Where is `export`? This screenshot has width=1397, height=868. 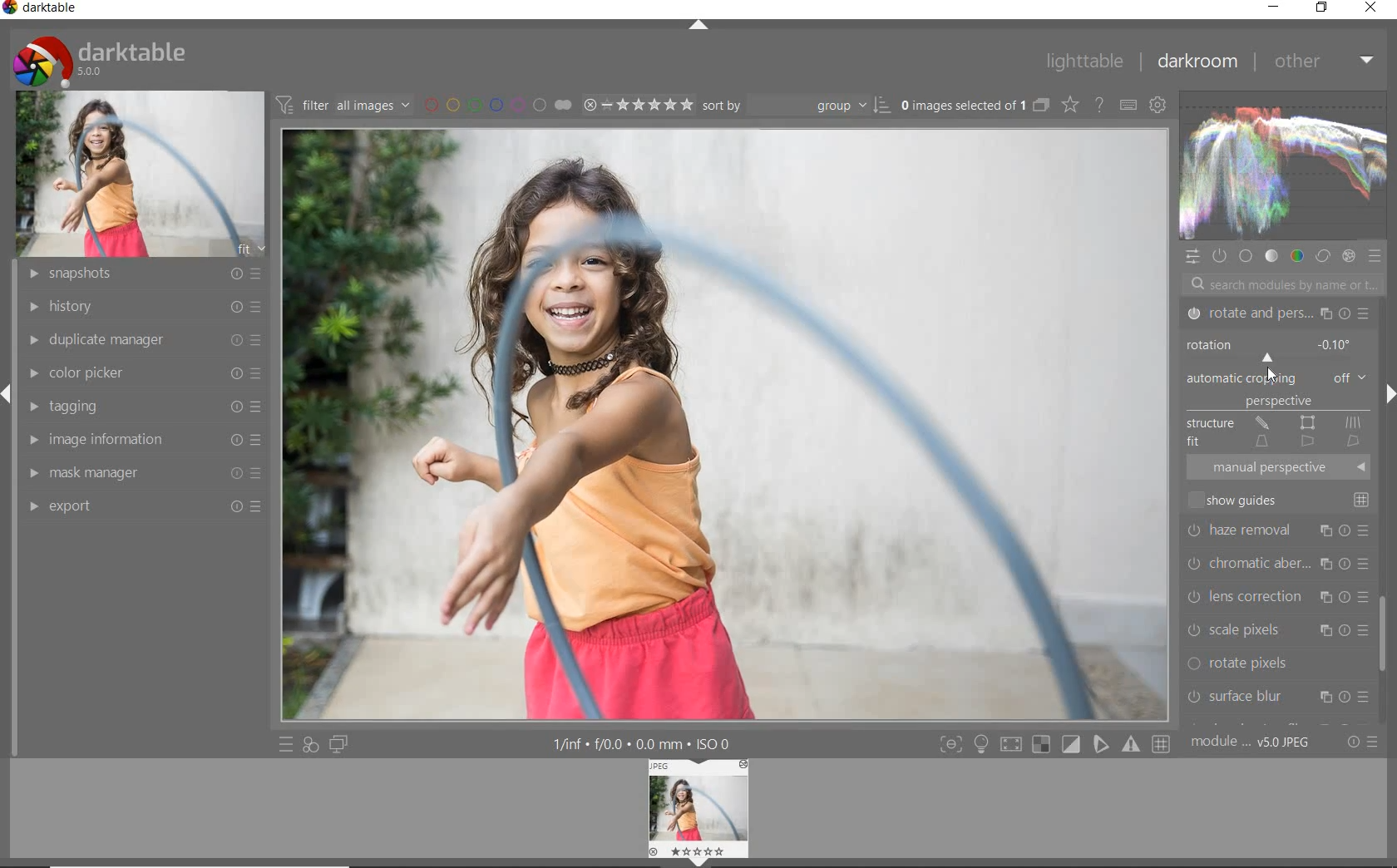 export is located at coordinates (146, 505).